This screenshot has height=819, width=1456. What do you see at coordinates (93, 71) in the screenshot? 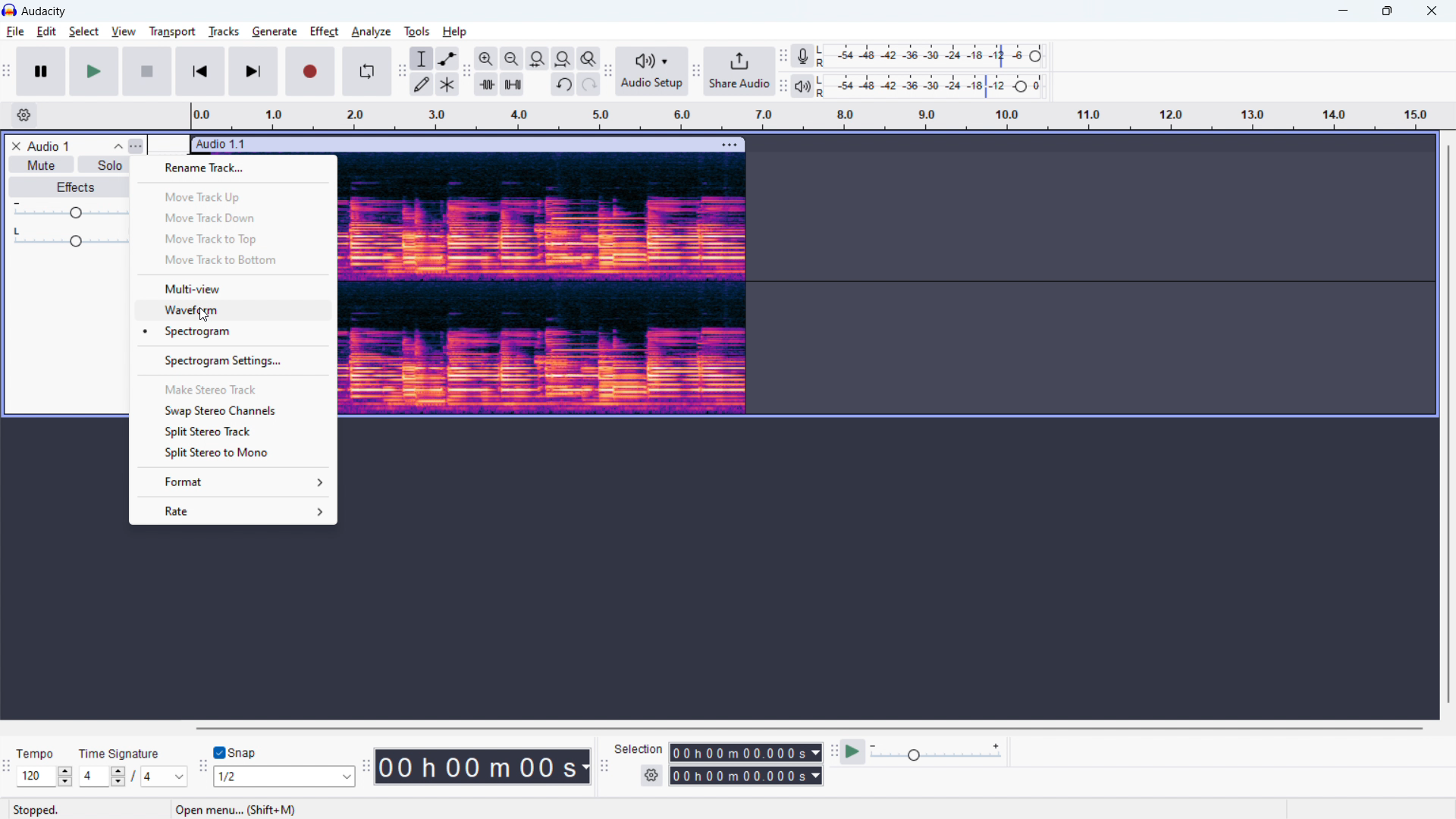
I see `play` at bounding box center [93, 71].